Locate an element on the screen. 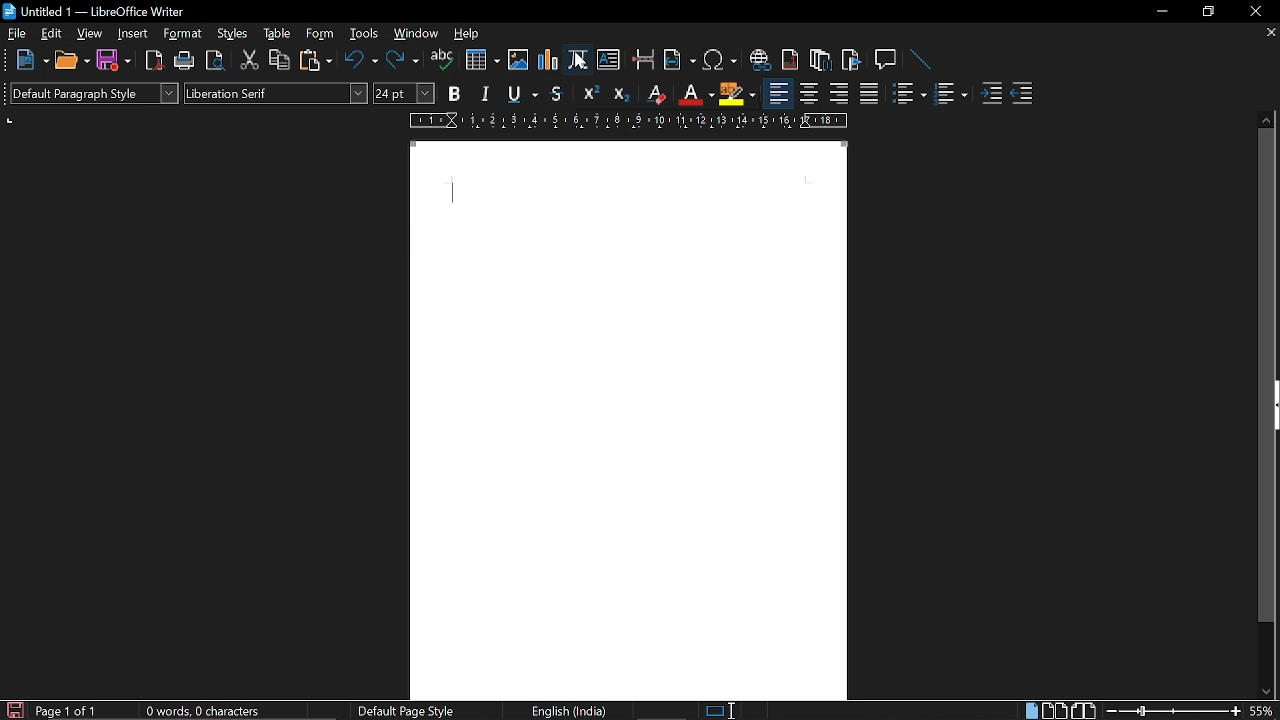  cut  is located at coordinates (248, 61).